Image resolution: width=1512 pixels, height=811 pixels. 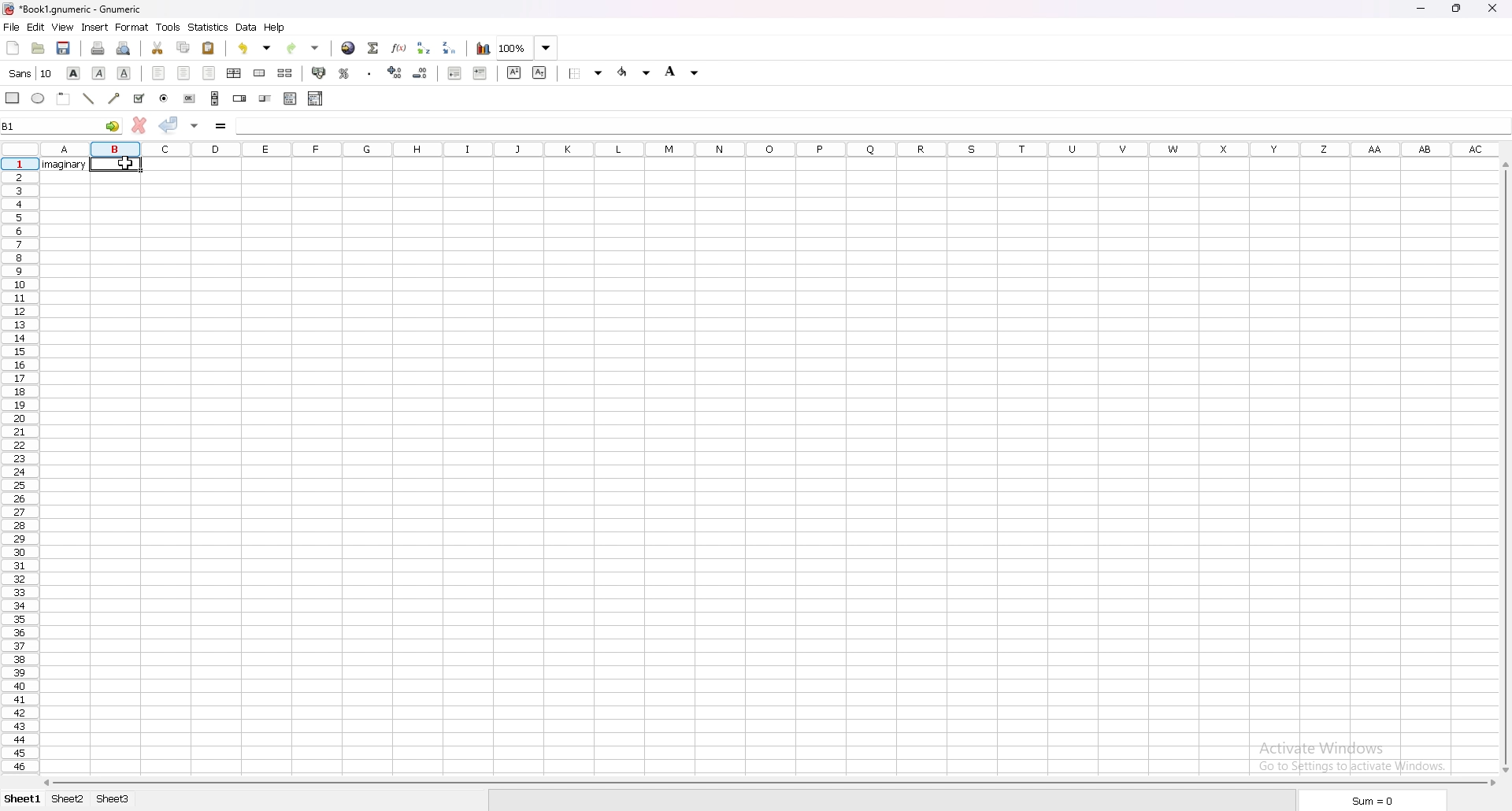 I want to click on edit, so click(x=35, y=27).